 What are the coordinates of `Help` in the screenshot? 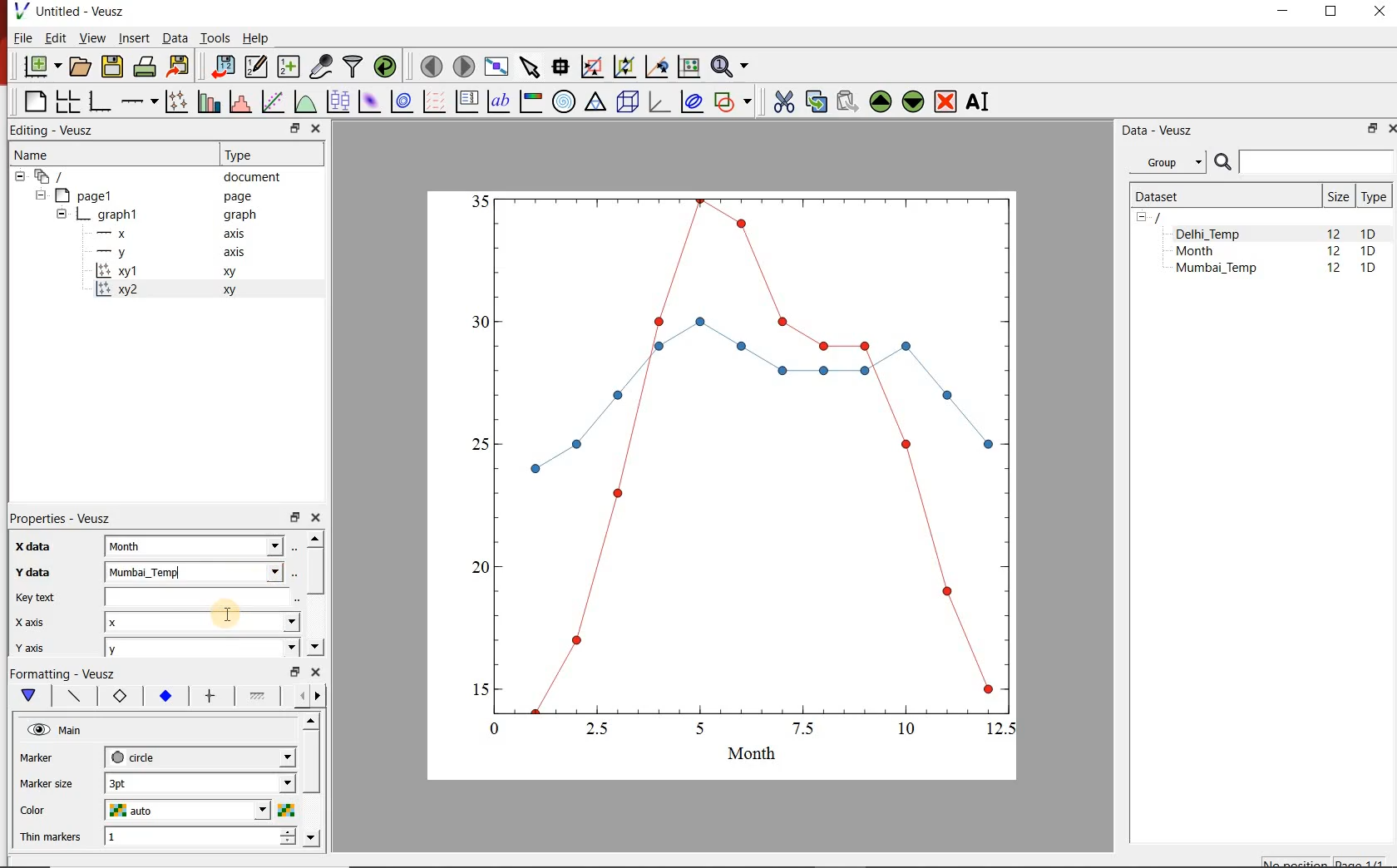 It's located at (256, 37).